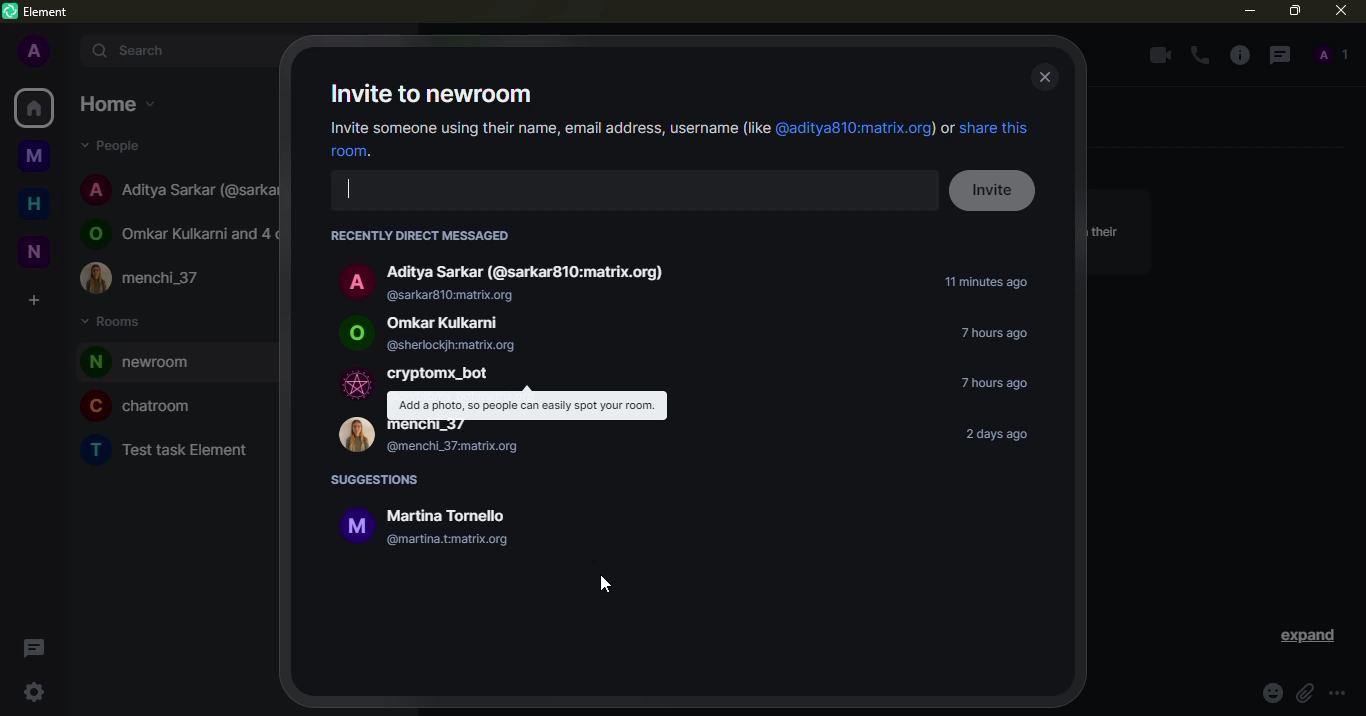  What do you see at coordinates (37, 53) in the screenshot?
I see `profile` at bounding box center [37, 53].